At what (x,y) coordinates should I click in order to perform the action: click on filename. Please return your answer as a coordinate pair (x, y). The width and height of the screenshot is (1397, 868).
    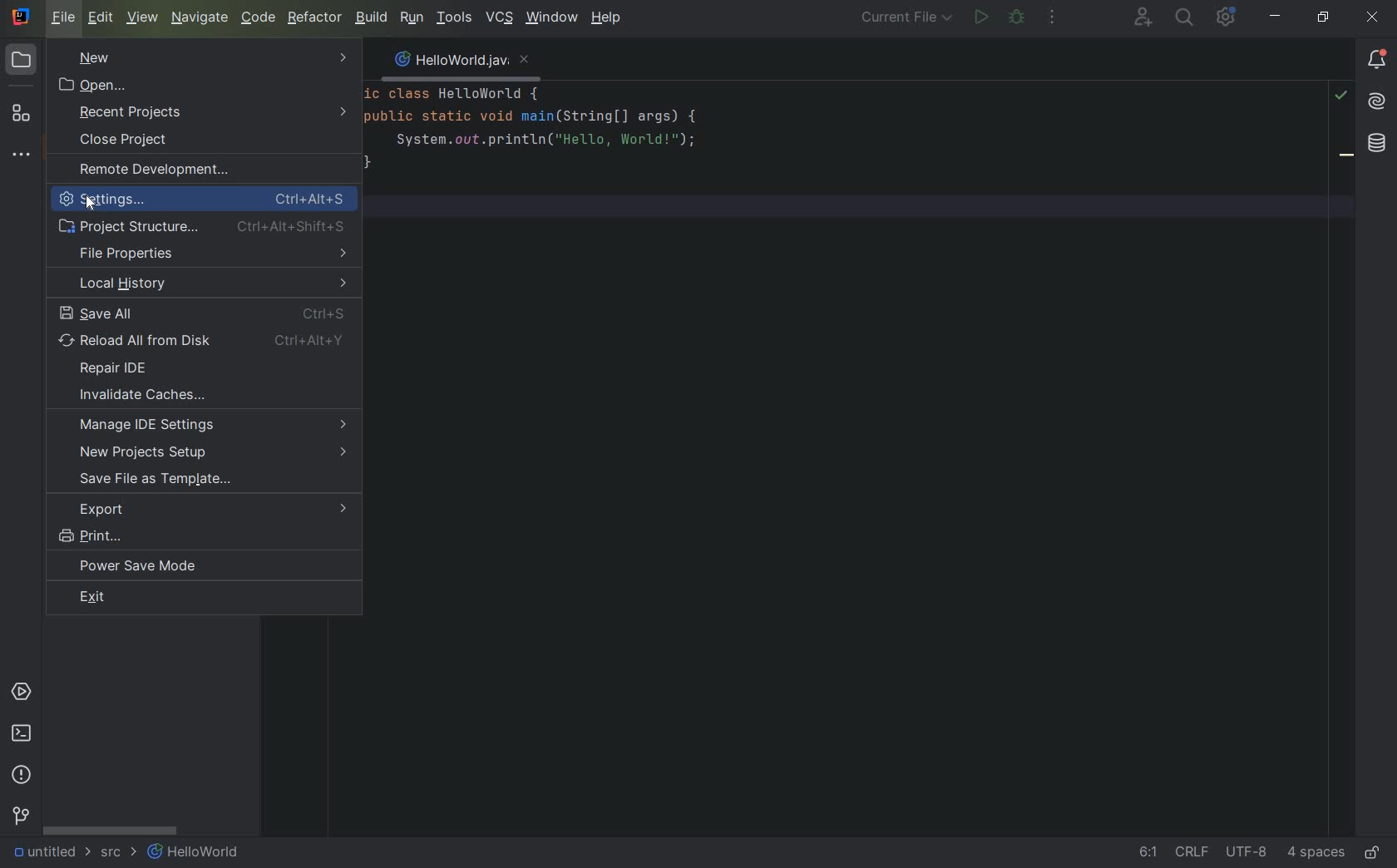
    Looking at the image, I should click on (461, 62).